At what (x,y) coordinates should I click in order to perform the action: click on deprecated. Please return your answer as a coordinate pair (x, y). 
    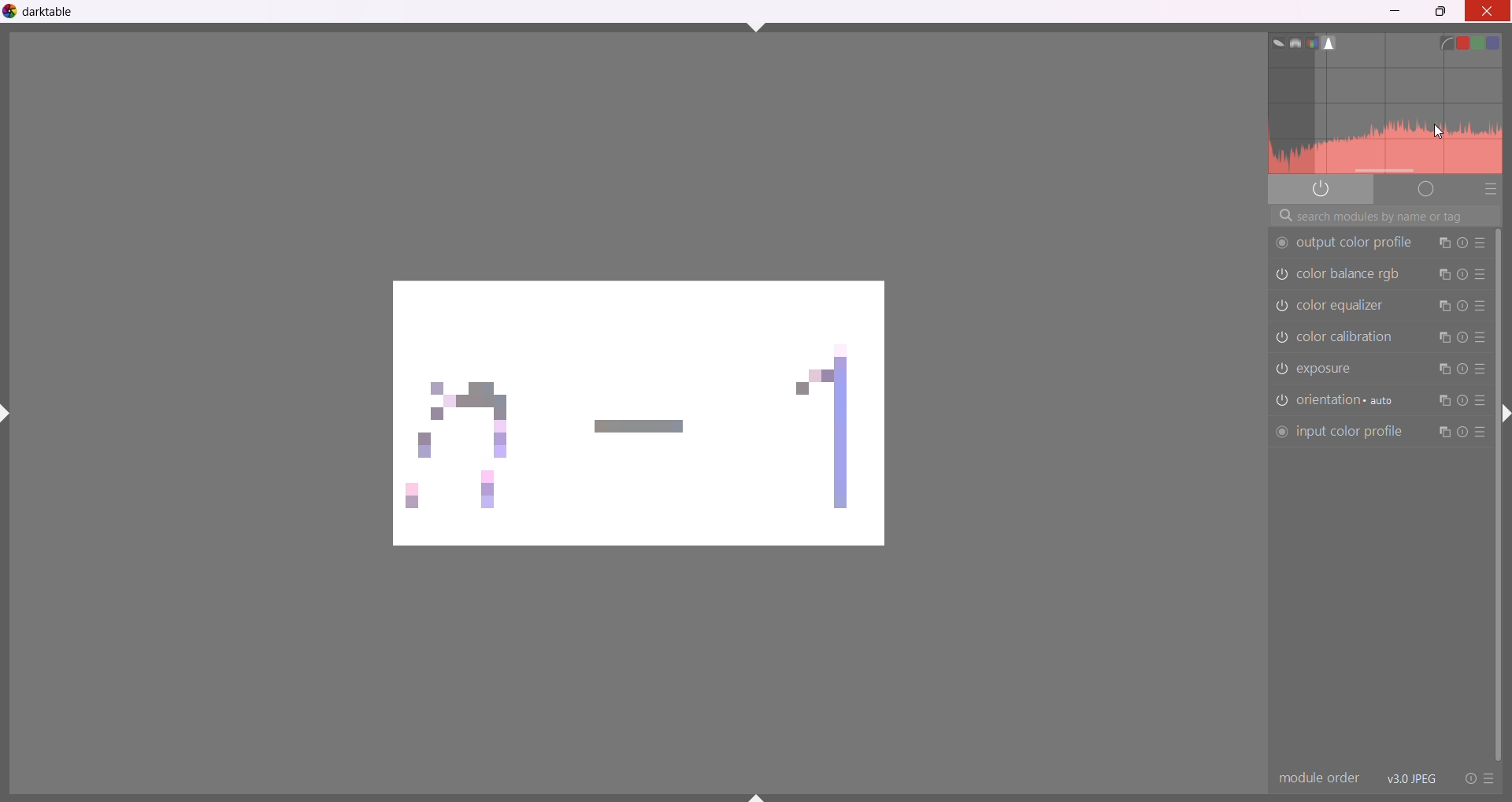
    Looking at the image, I should click on (1425, 188).